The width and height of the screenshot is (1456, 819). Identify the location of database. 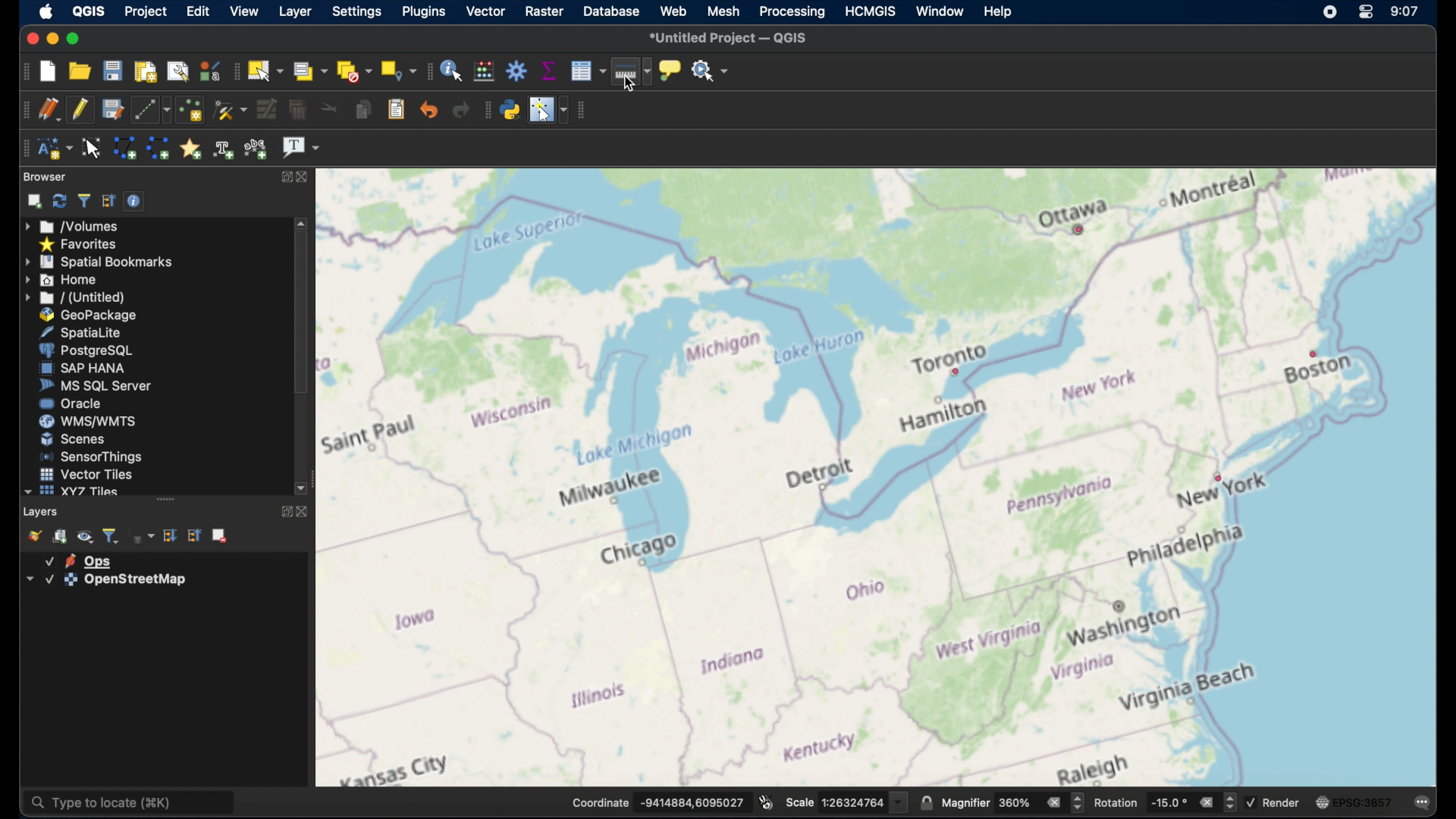
(613, 12).